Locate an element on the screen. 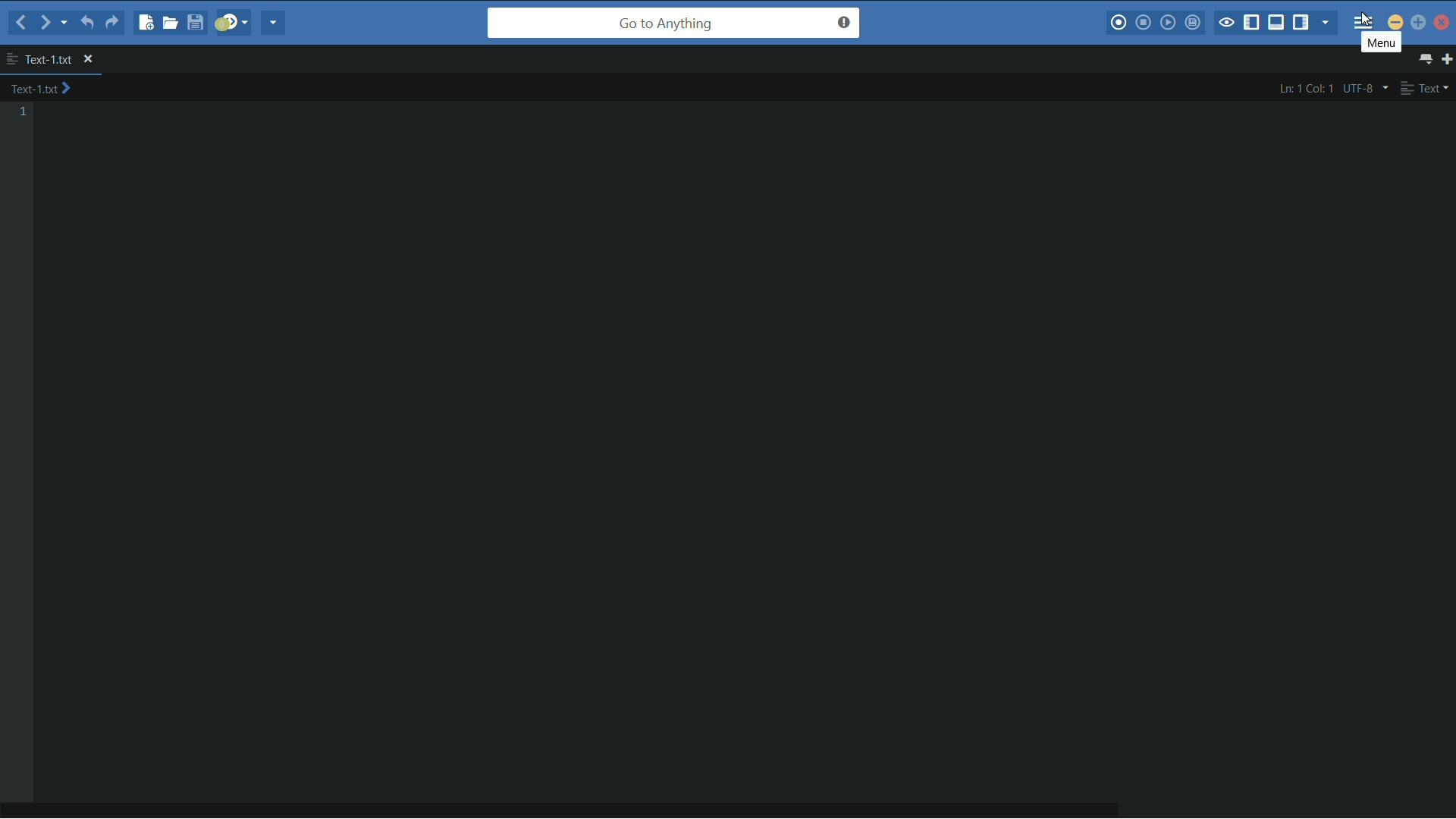 Image resolution: width=1456 pixels, height=819 pixels. show specific sidebar/tabs is located at coordinates (1326, 24).